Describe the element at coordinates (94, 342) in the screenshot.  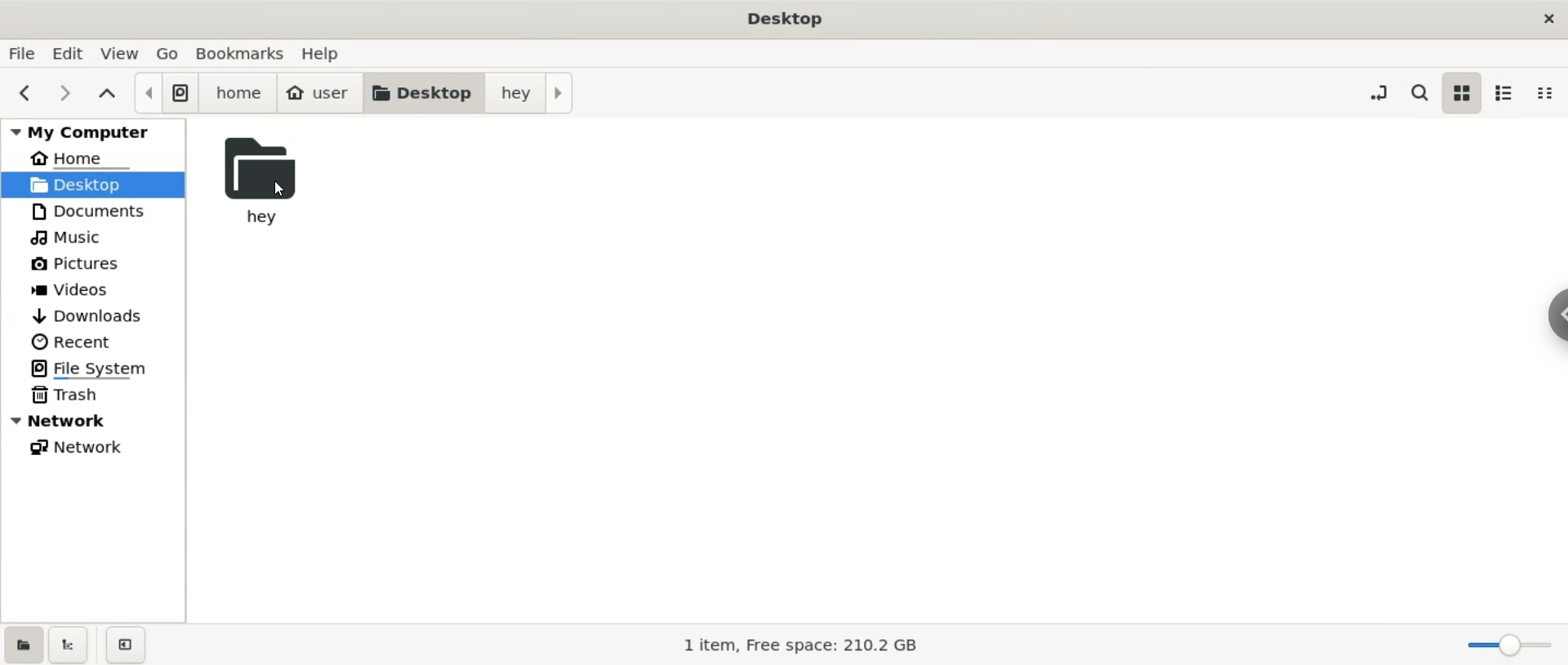
I see `recent` at that location.